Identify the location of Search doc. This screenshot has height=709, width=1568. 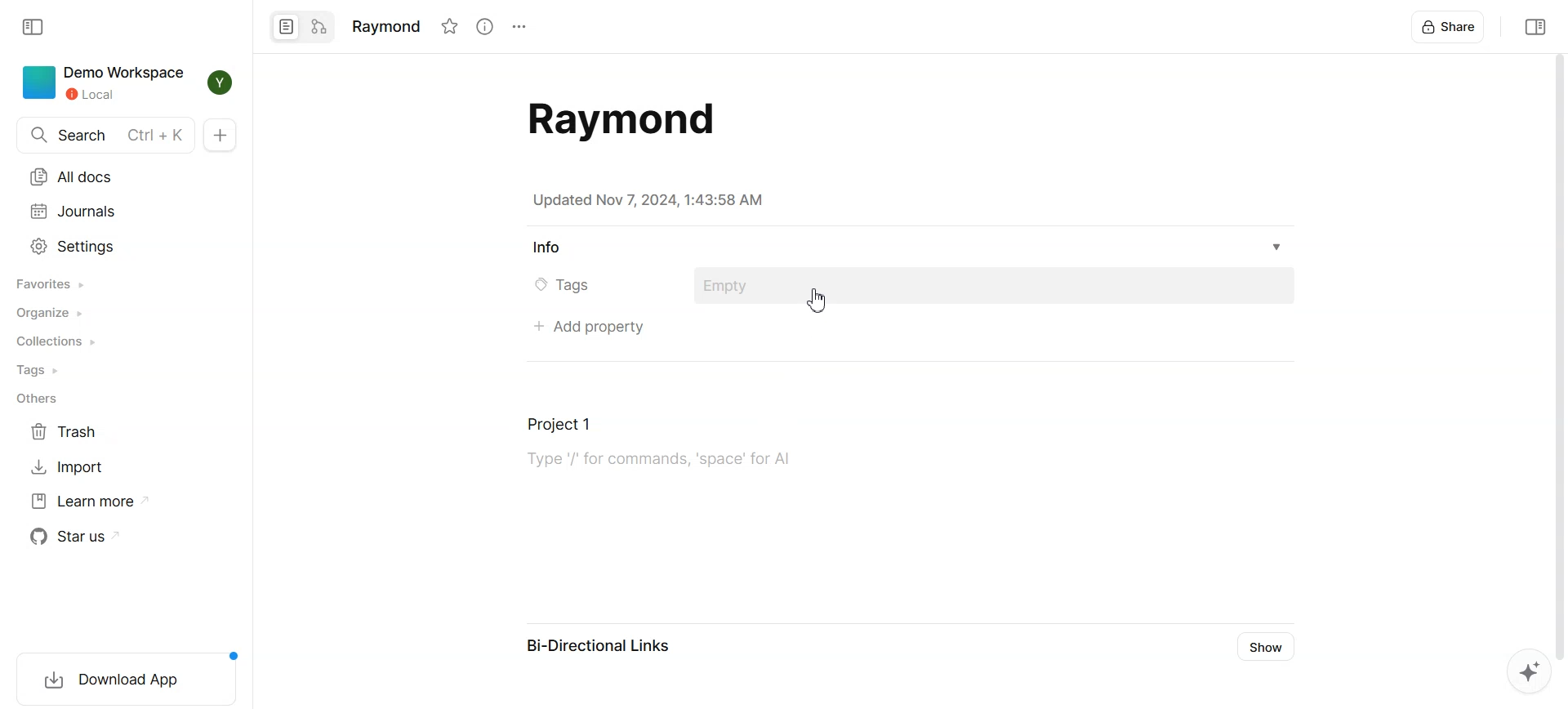
(105, 135).